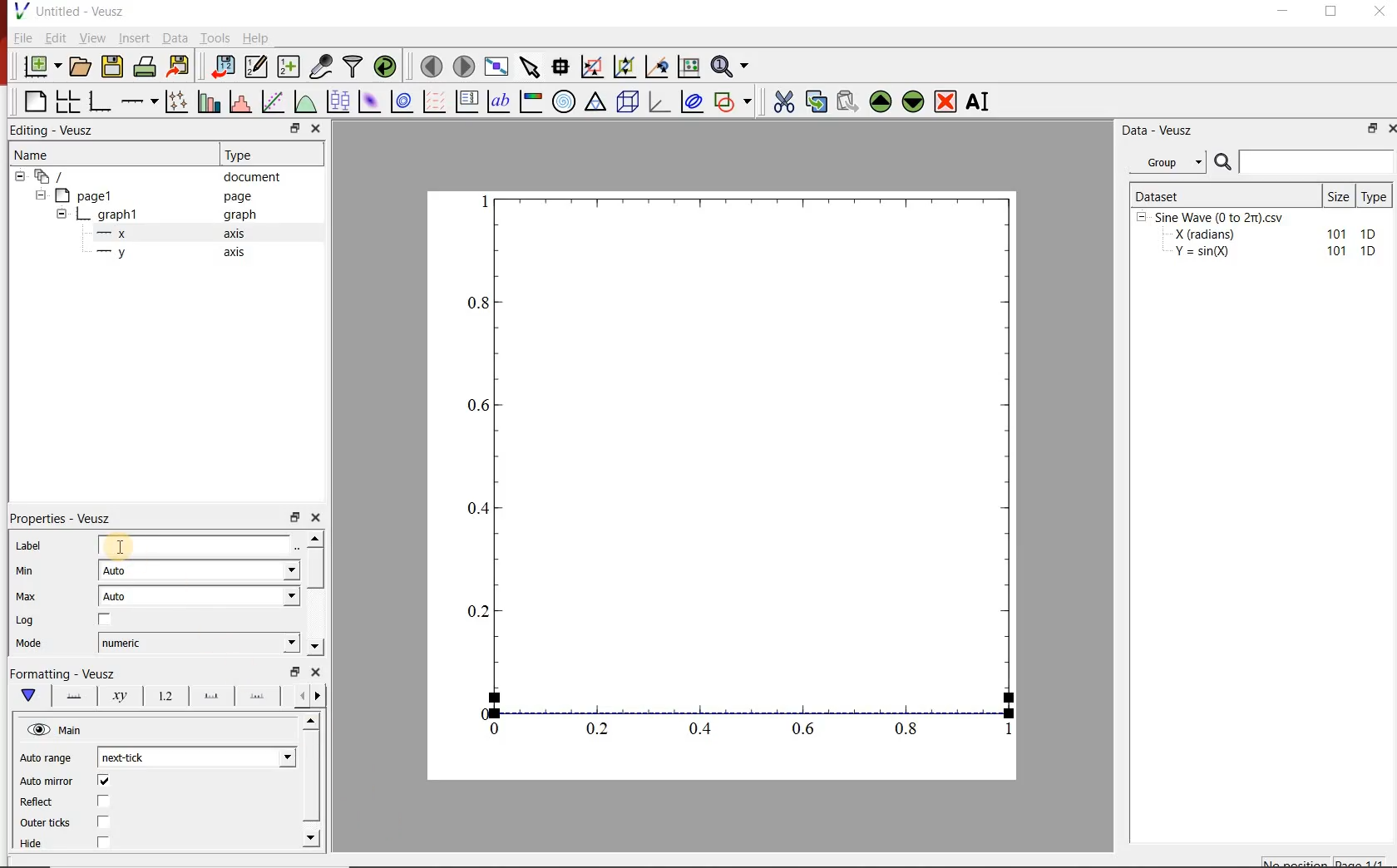 This screenshot has width=1397, height=868. I want to click on Move right, so click(320, 696).